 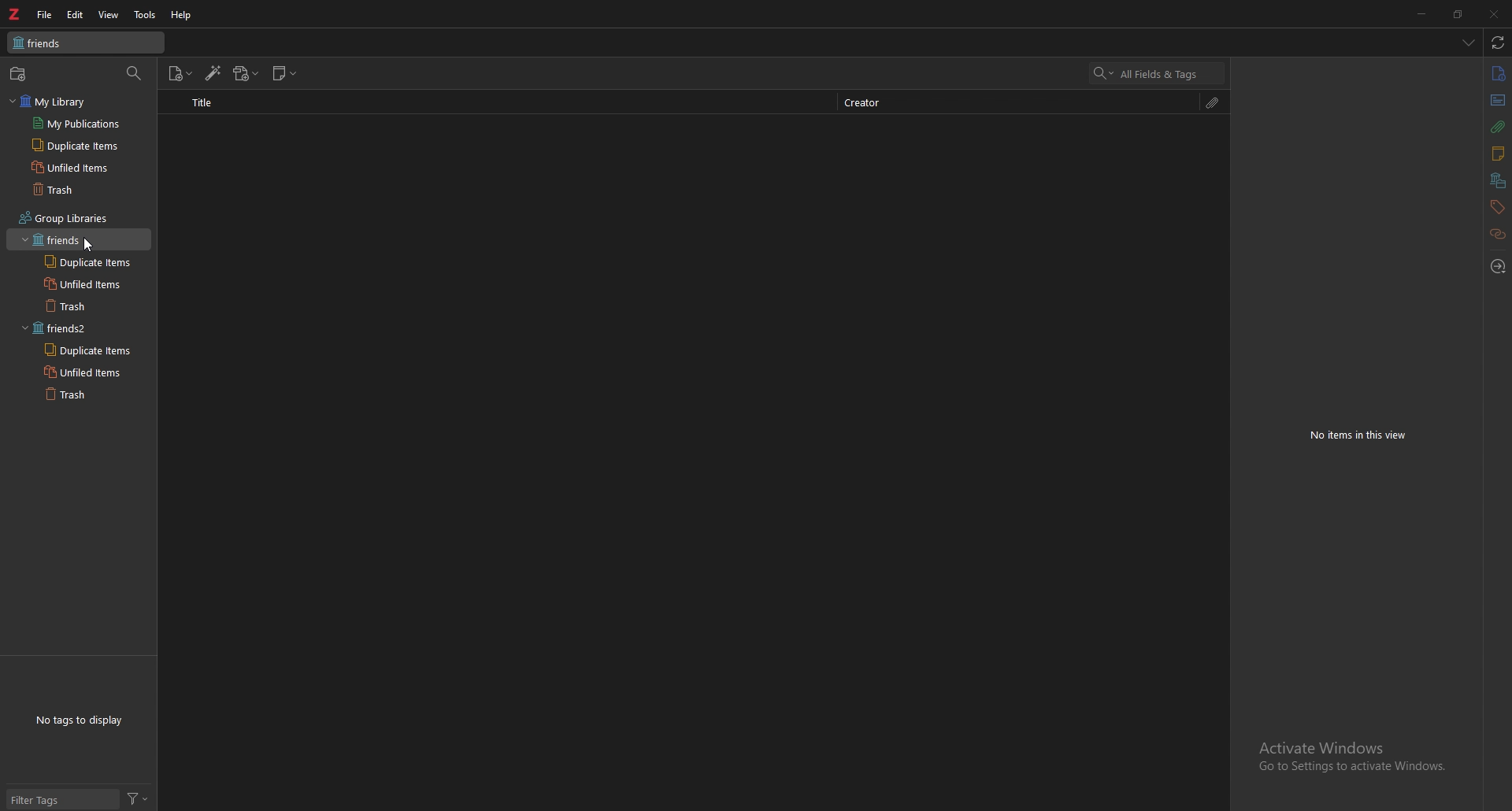 I want to click on list all items, so click(x=1468, y=43).